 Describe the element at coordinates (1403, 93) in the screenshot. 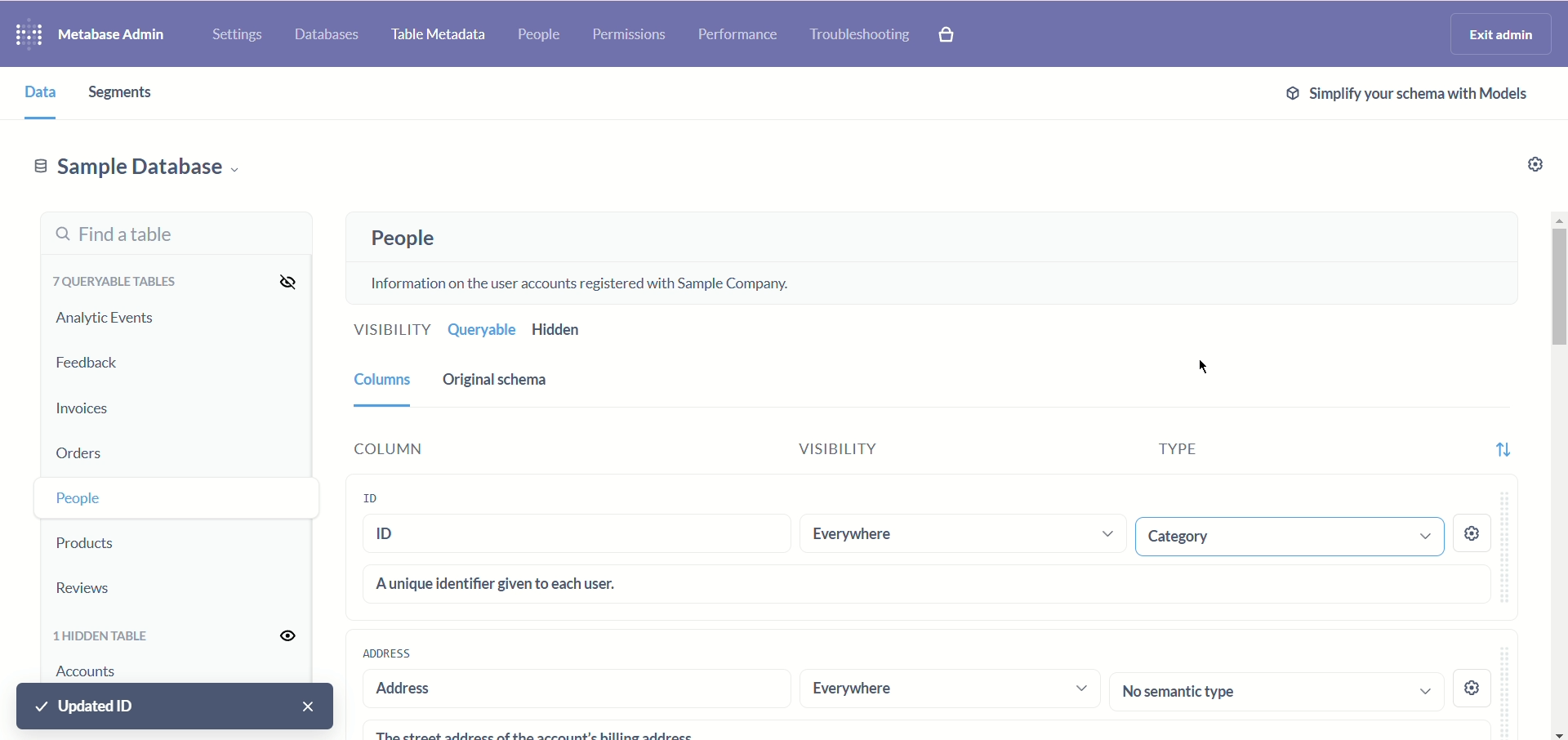

I see `Simplify tour schema with models` at that location.